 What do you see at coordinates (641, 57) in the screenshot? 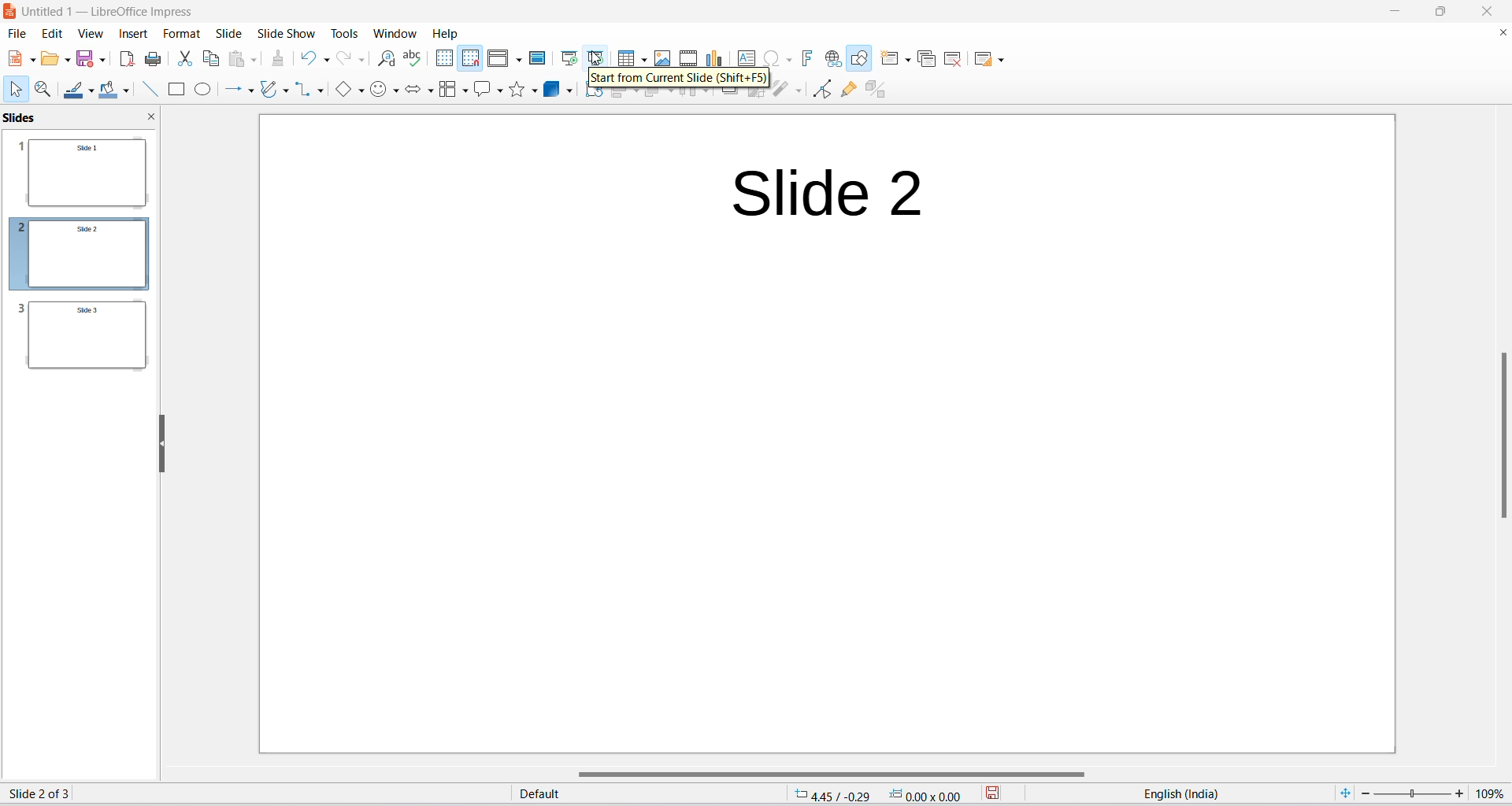
I see `table grid` at bounding box center [641, 57].